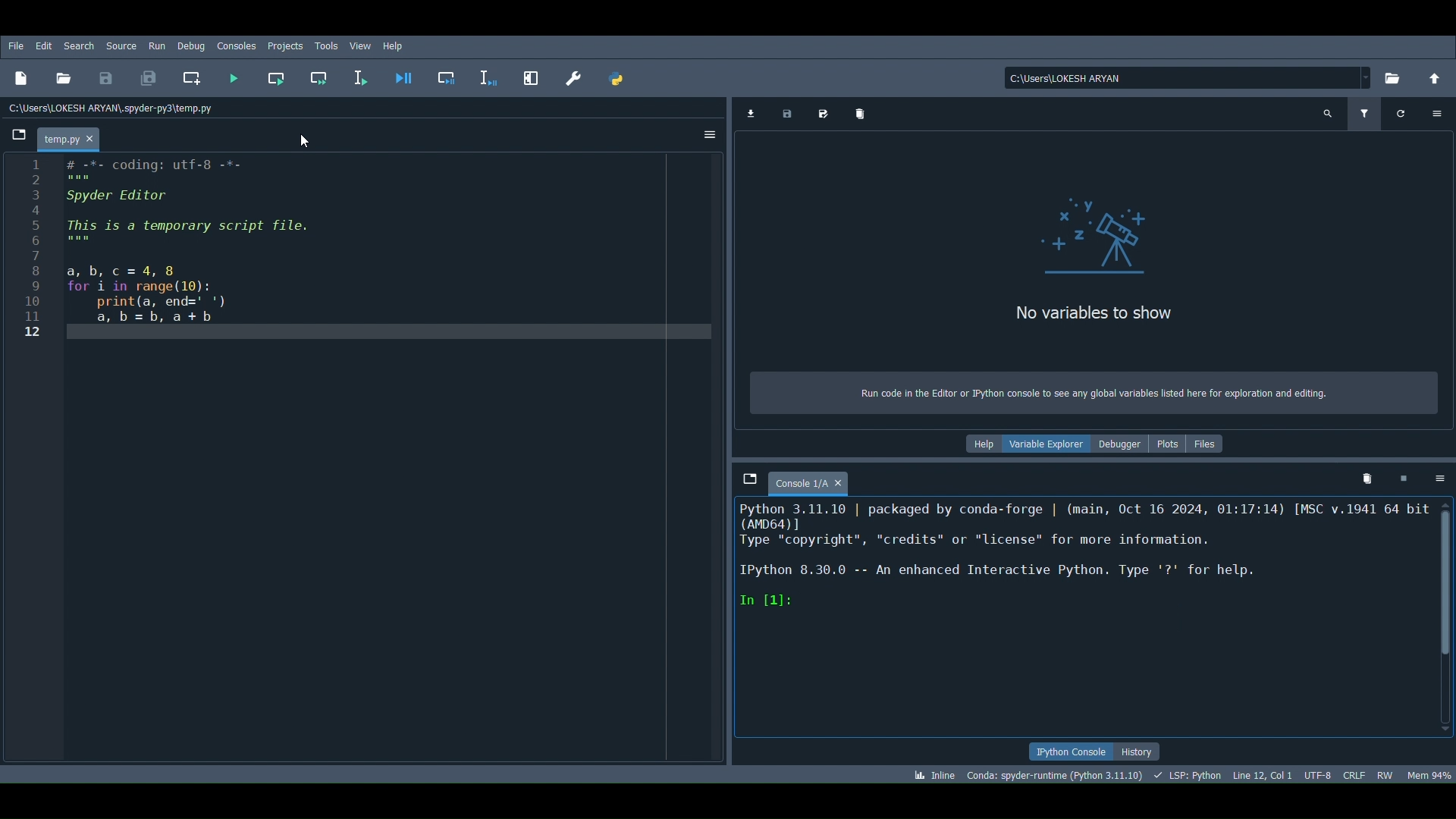 Image resolution: width=1456 pixels, height=819 pixels. What do you see at coordinates (285, 45) in the screenshot?
I see `Projects` at bounding box center [285, 45].